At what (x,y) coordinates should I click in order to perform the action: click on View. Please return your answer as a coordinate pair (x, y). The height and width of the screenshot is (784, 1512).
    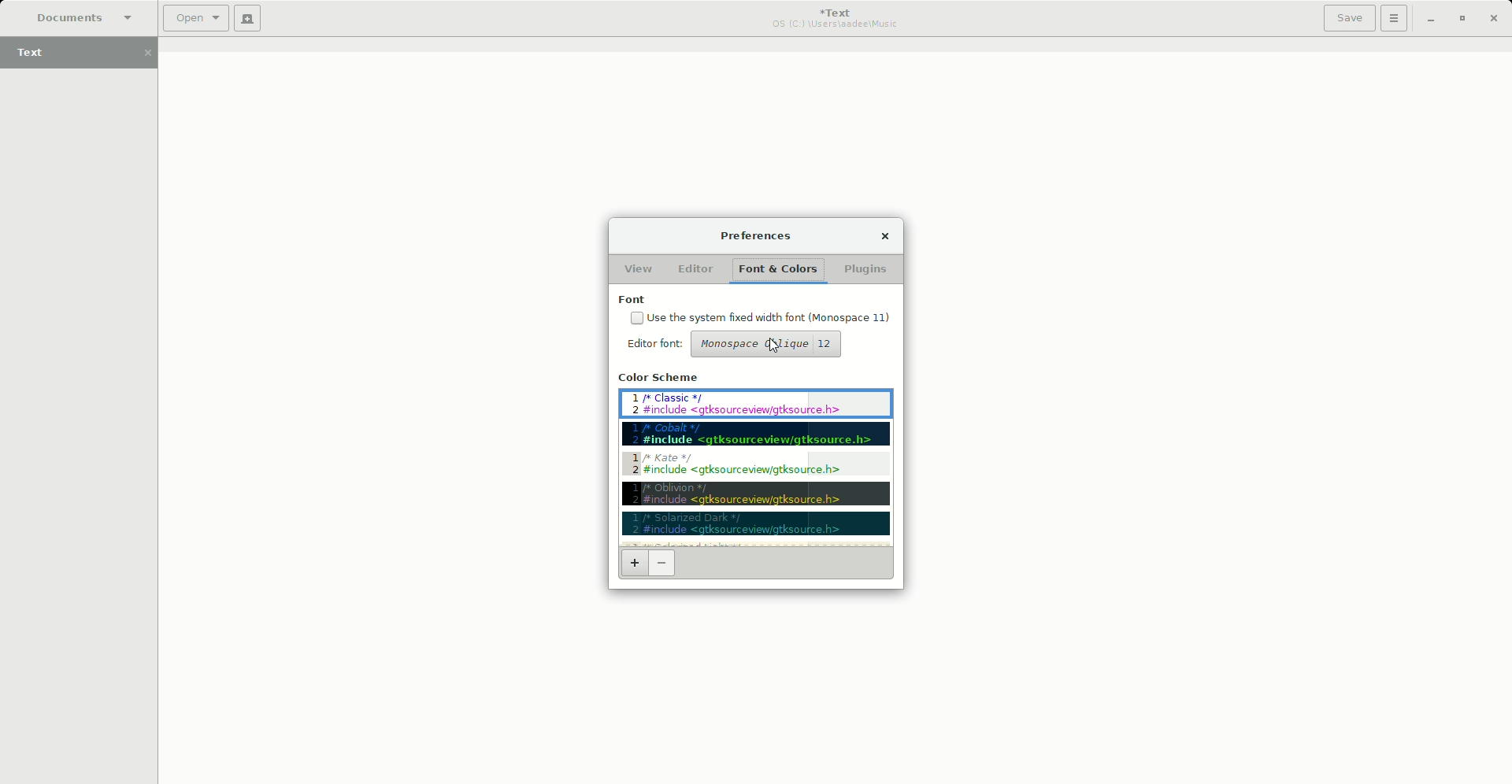
    Looking at the image, I should click on (637, 265).